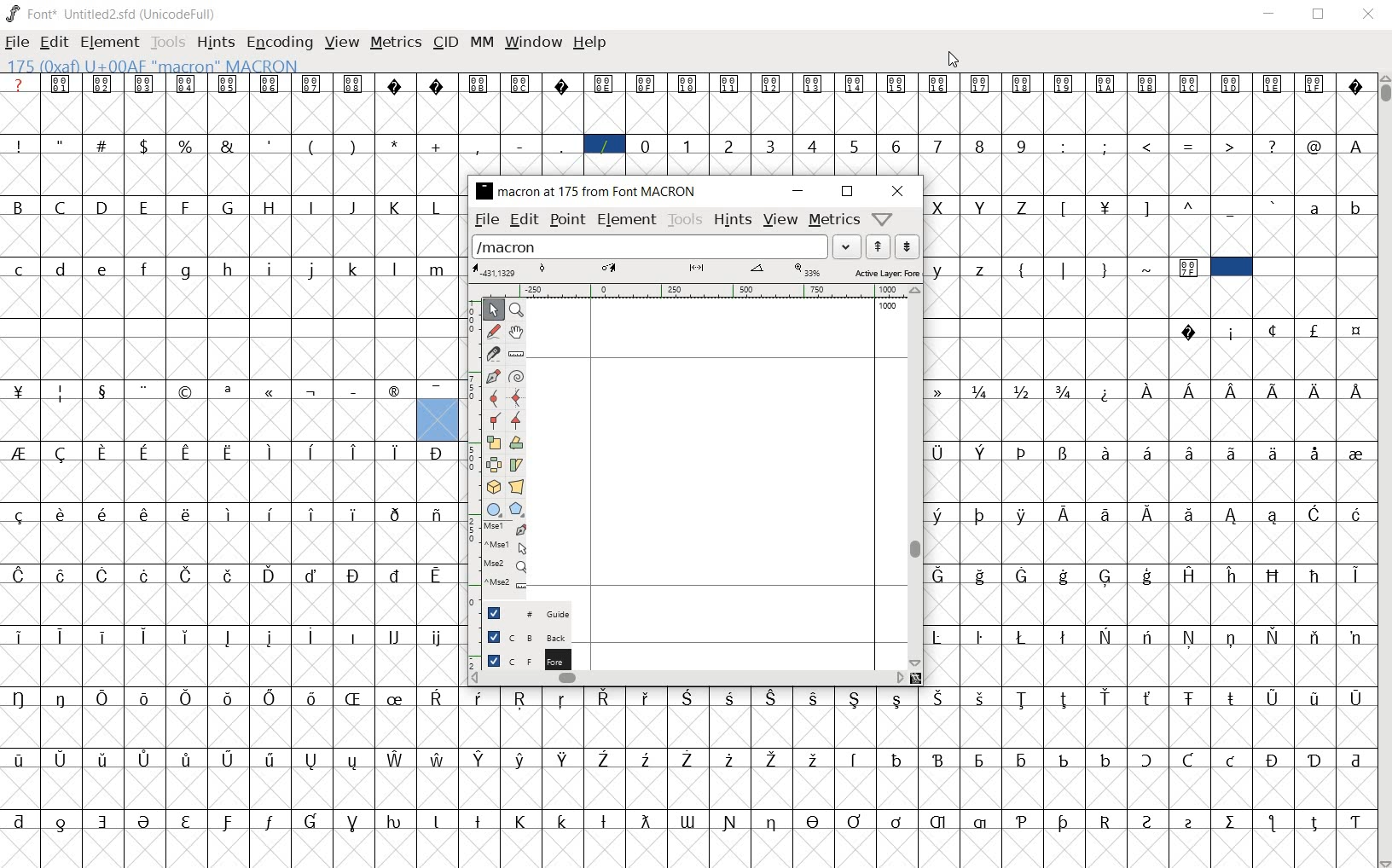 The width and height of the screenshot is (1392, 868). What do you see at coordinates (342, 42) in the screenshot?
I see `view` at bounding box center [342, 42].